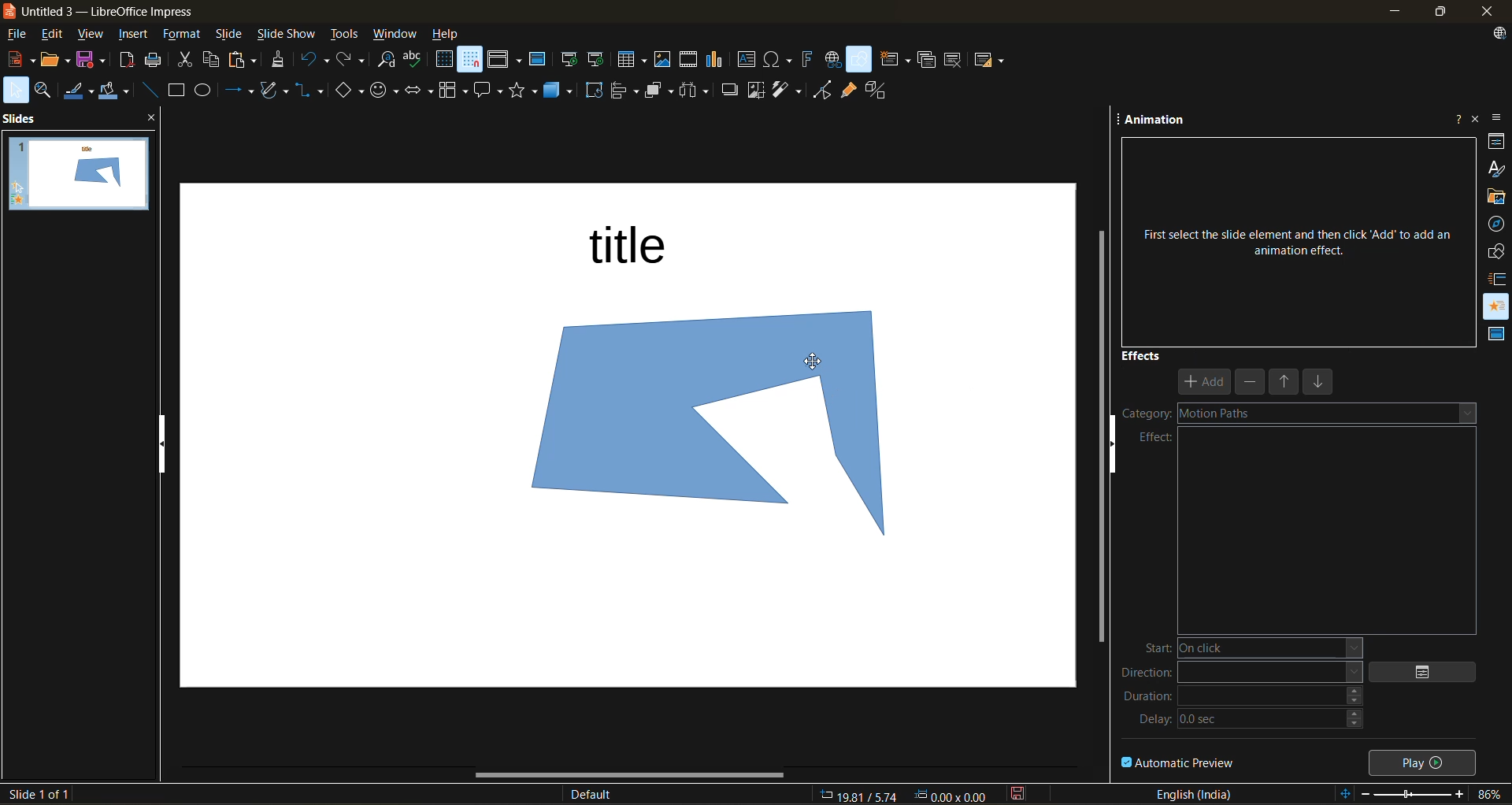 This screenshot has height=805, width=1512. Describe the element at coordinates (352, 95) in the screenshot. I see `basic shapes` at that location.